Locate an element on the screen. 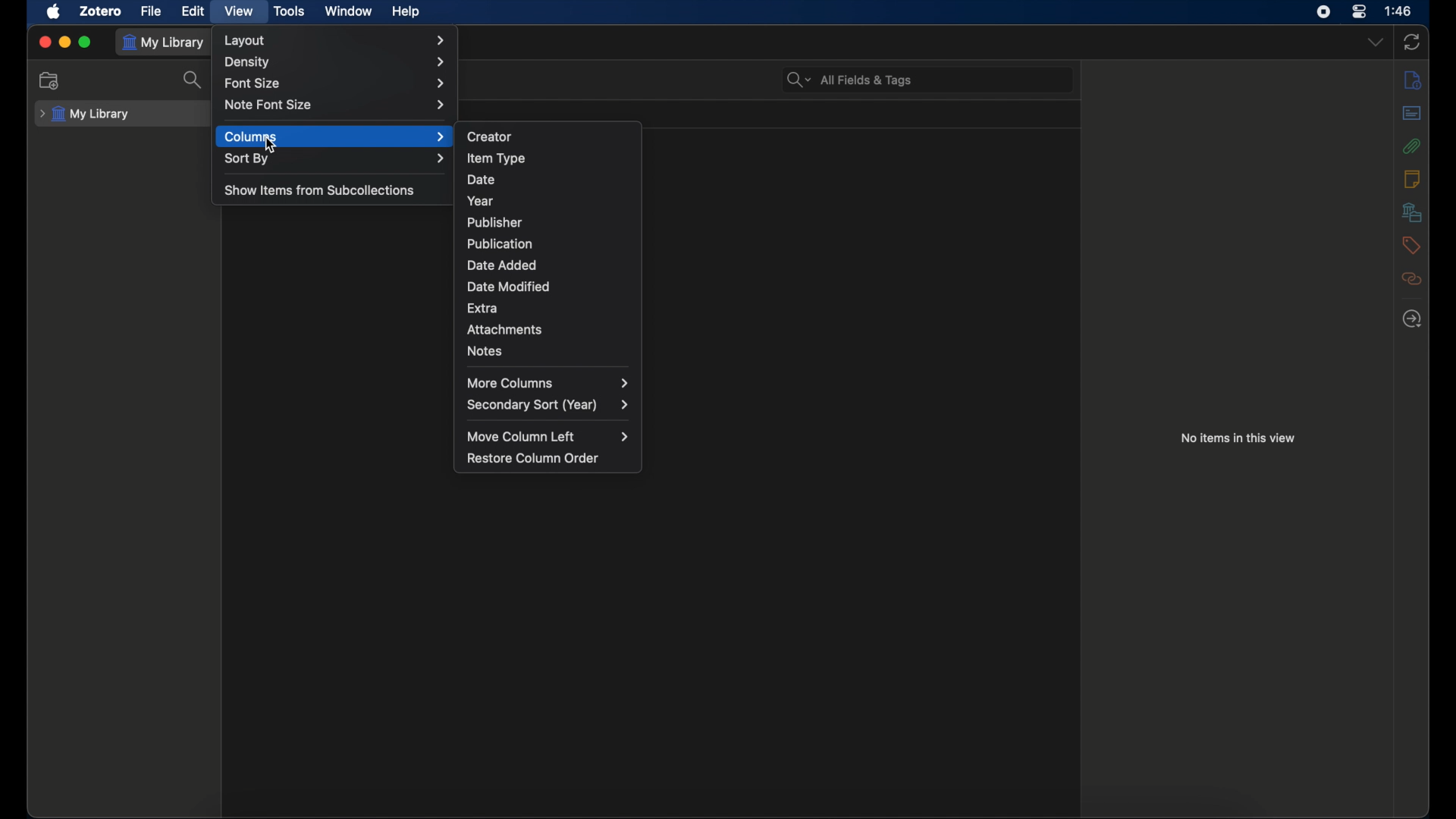  abstract is located at coordinates (1414, 112).